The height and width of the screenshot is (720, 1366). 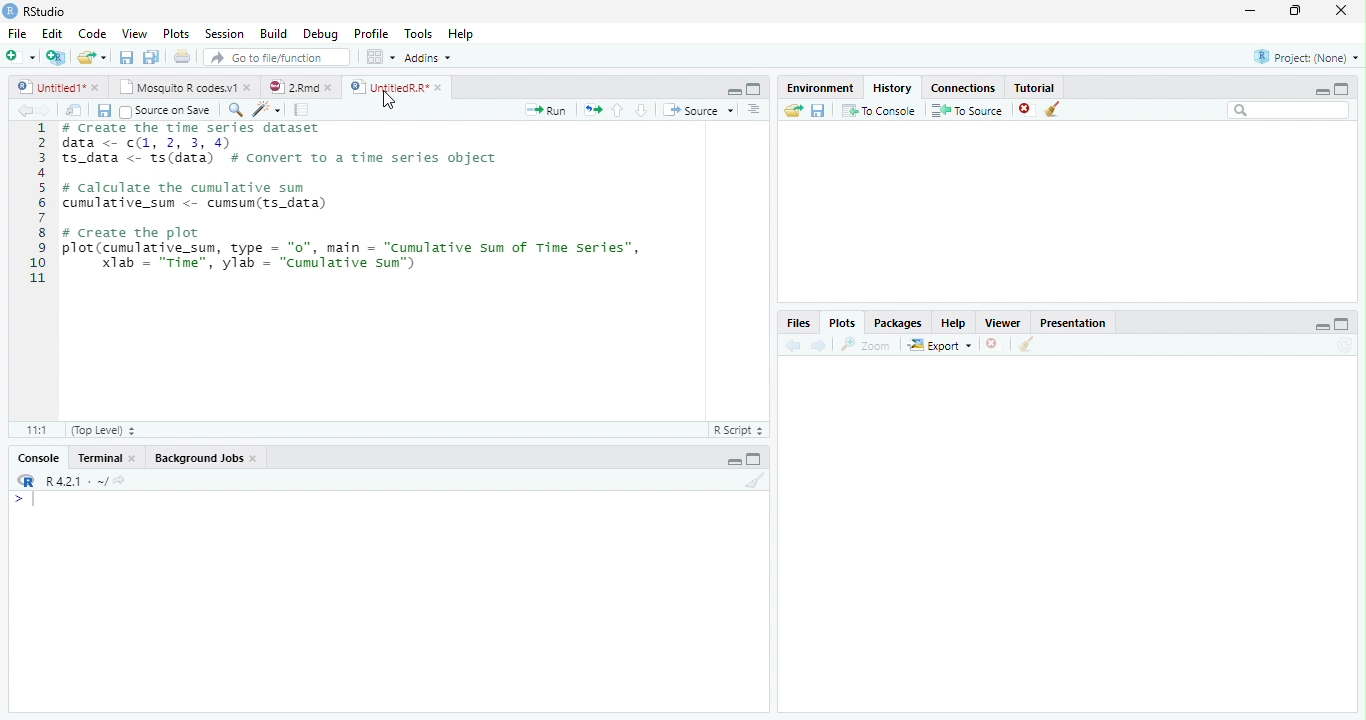 What do you see at coordinates (462, 36) in the screenshot?
I see `Help` at bounding box center [462, 36].